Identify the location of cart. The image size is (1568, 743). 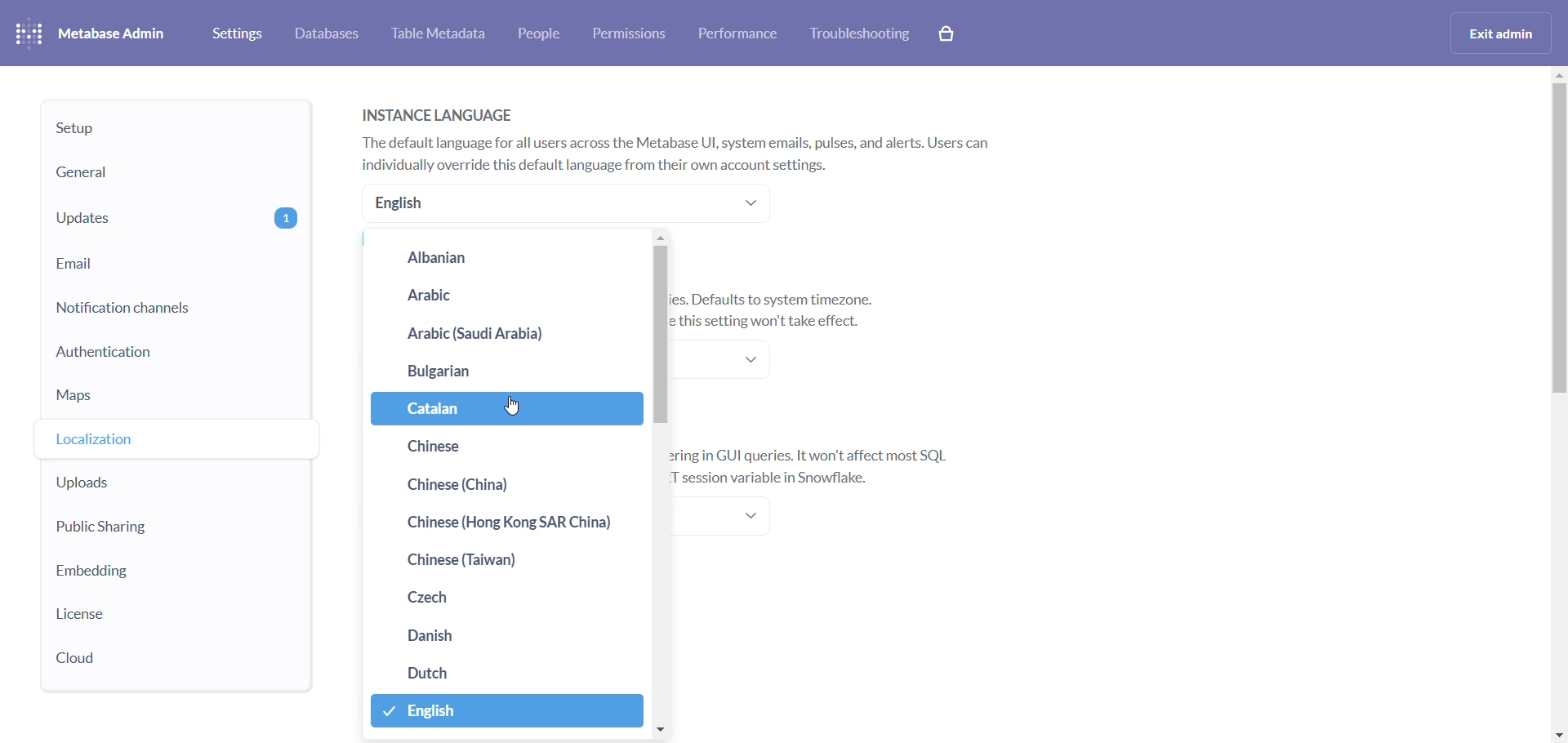
(947, 33).